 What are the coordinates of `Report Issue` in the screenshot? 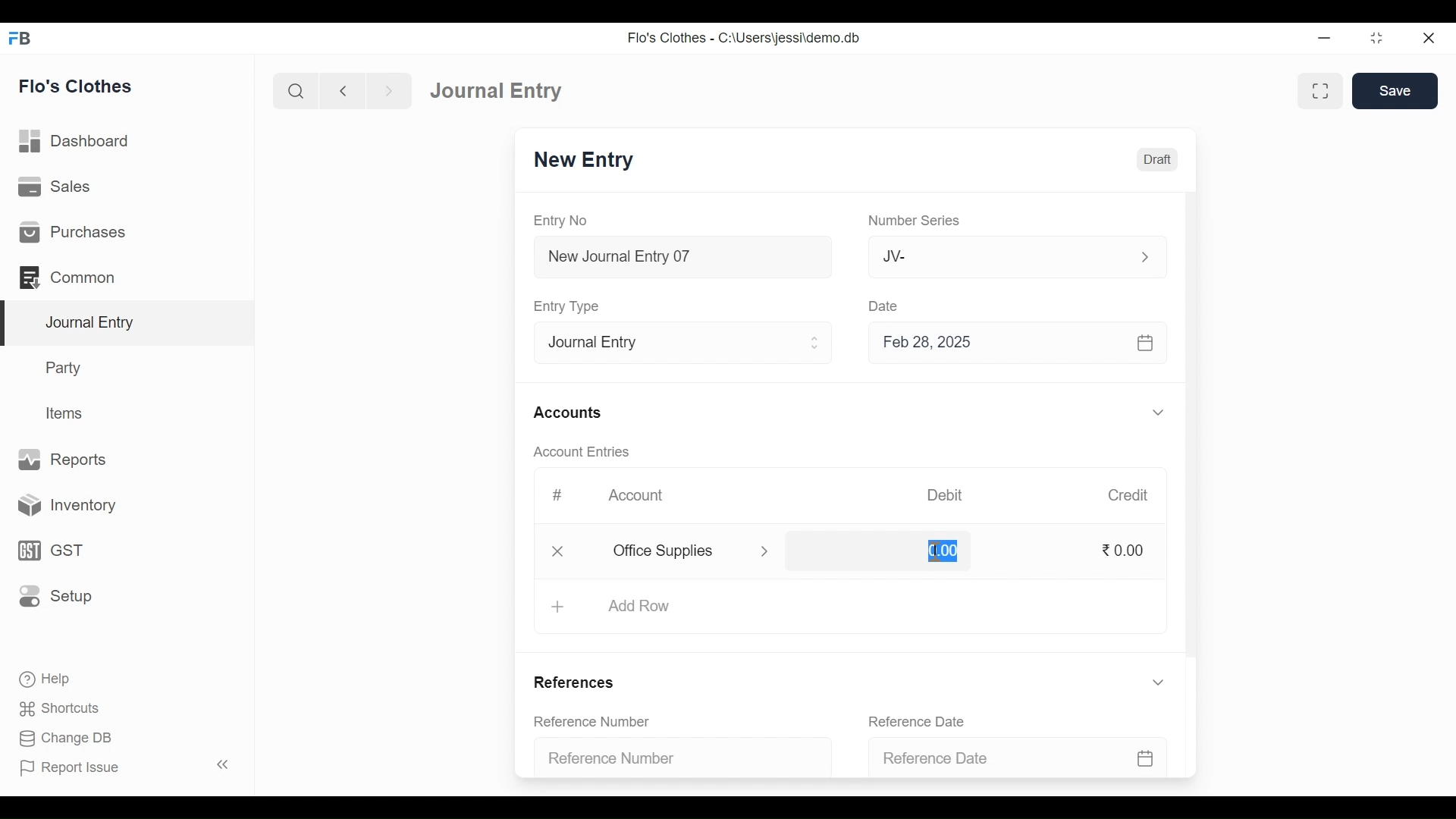 It's located at (69, 767).